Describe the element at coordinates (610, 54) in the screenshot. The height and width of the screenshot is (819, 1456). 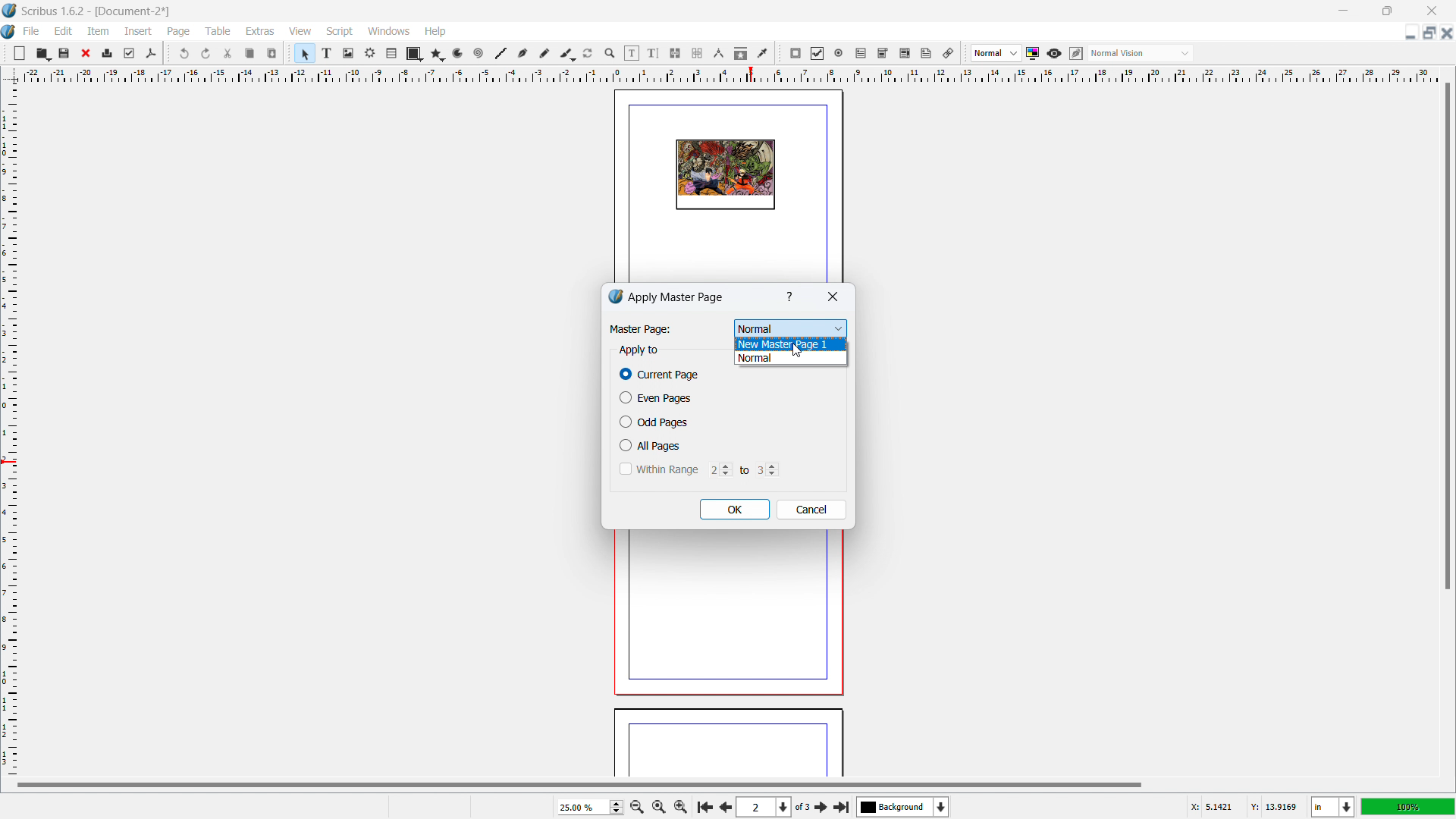
I see `zoom in/out` at that location.